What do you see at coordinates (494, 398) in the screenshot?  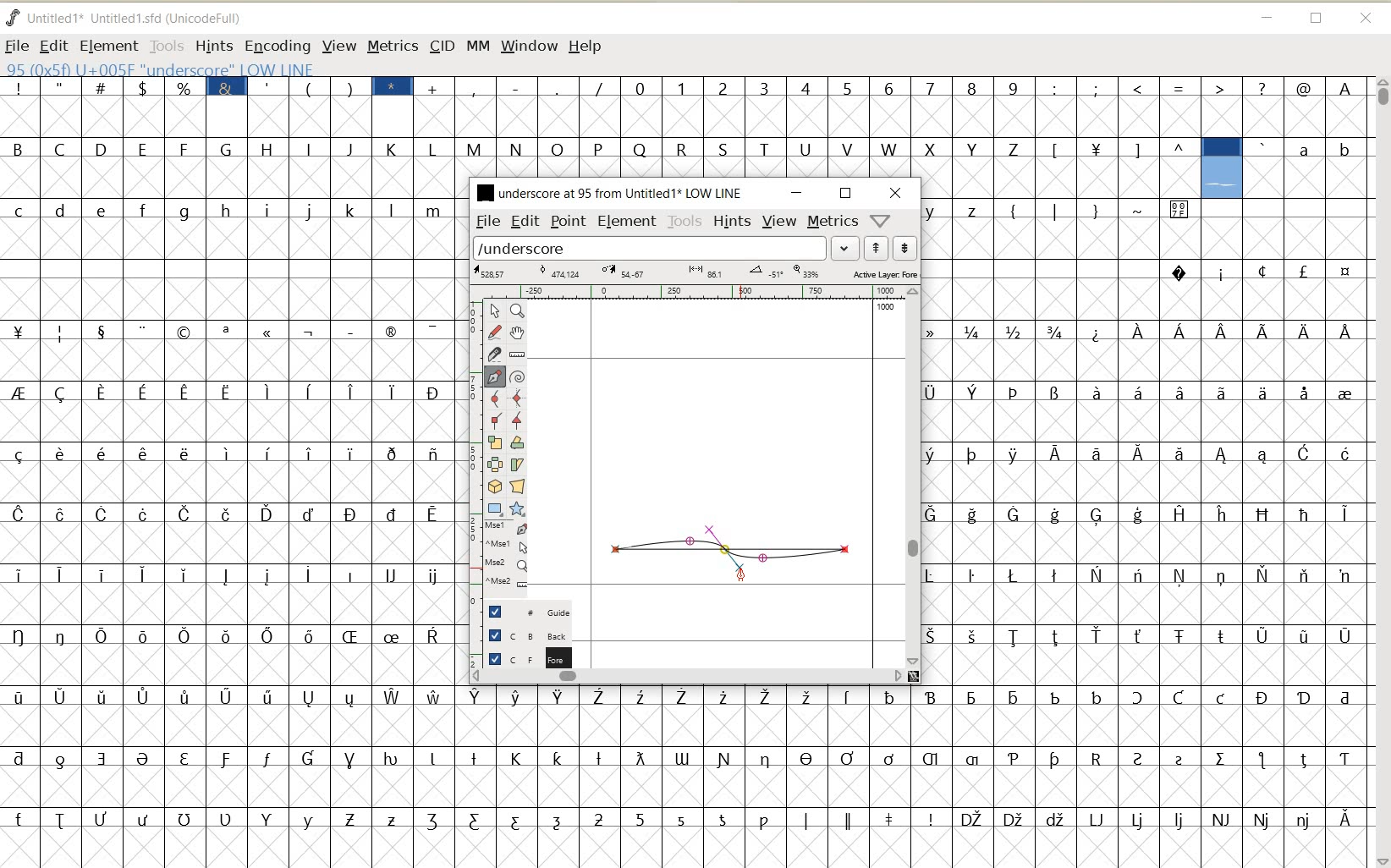 I see `add a curve point` at bounding box center [494, 398].